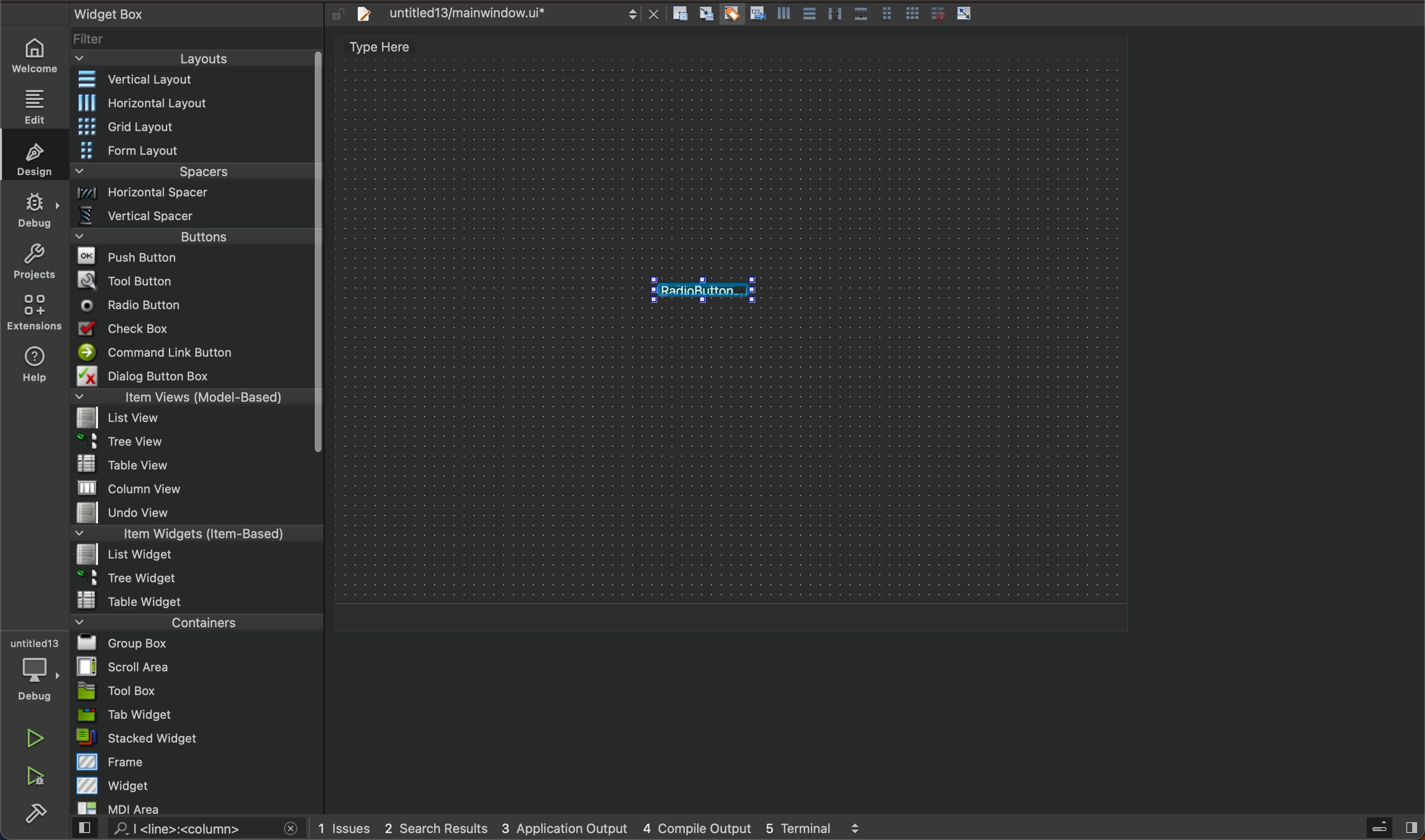  I want to click on mdi area, so click(196, 806).